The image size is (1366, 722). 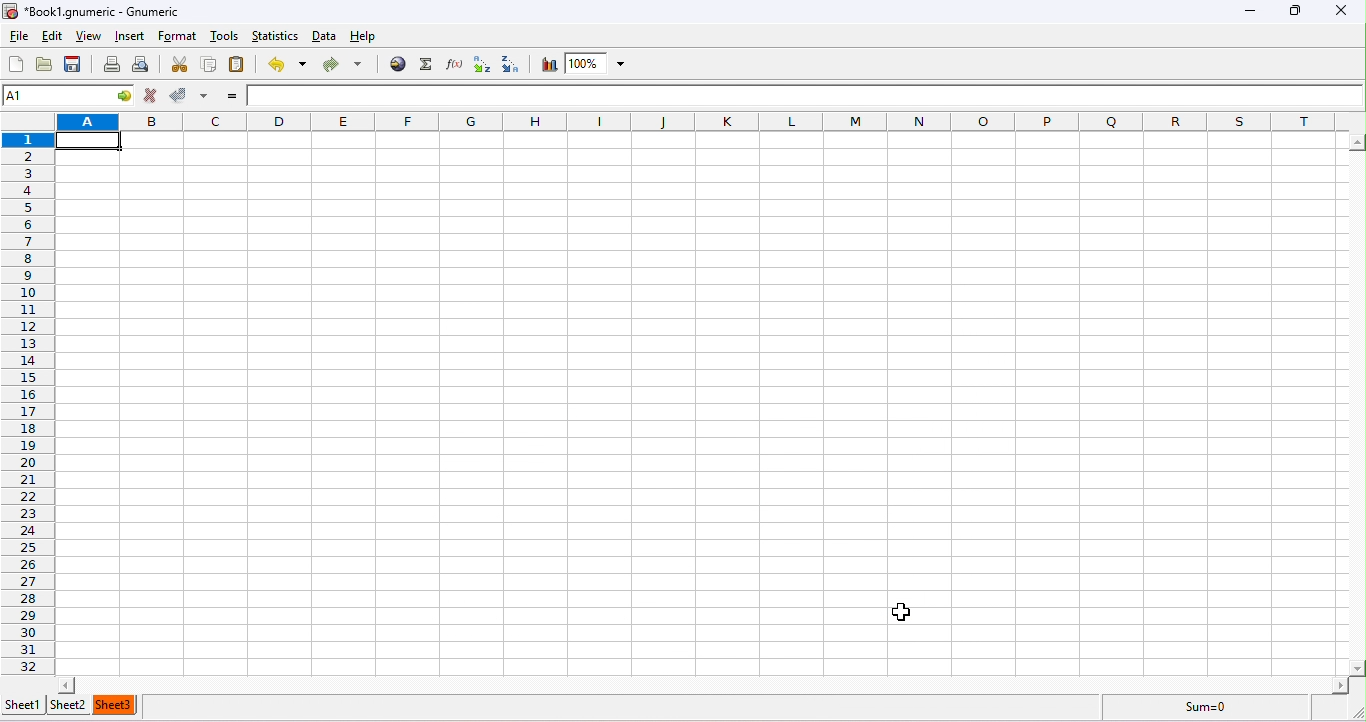 I want to click on sum into the current cell, so click(x=424, y=65).